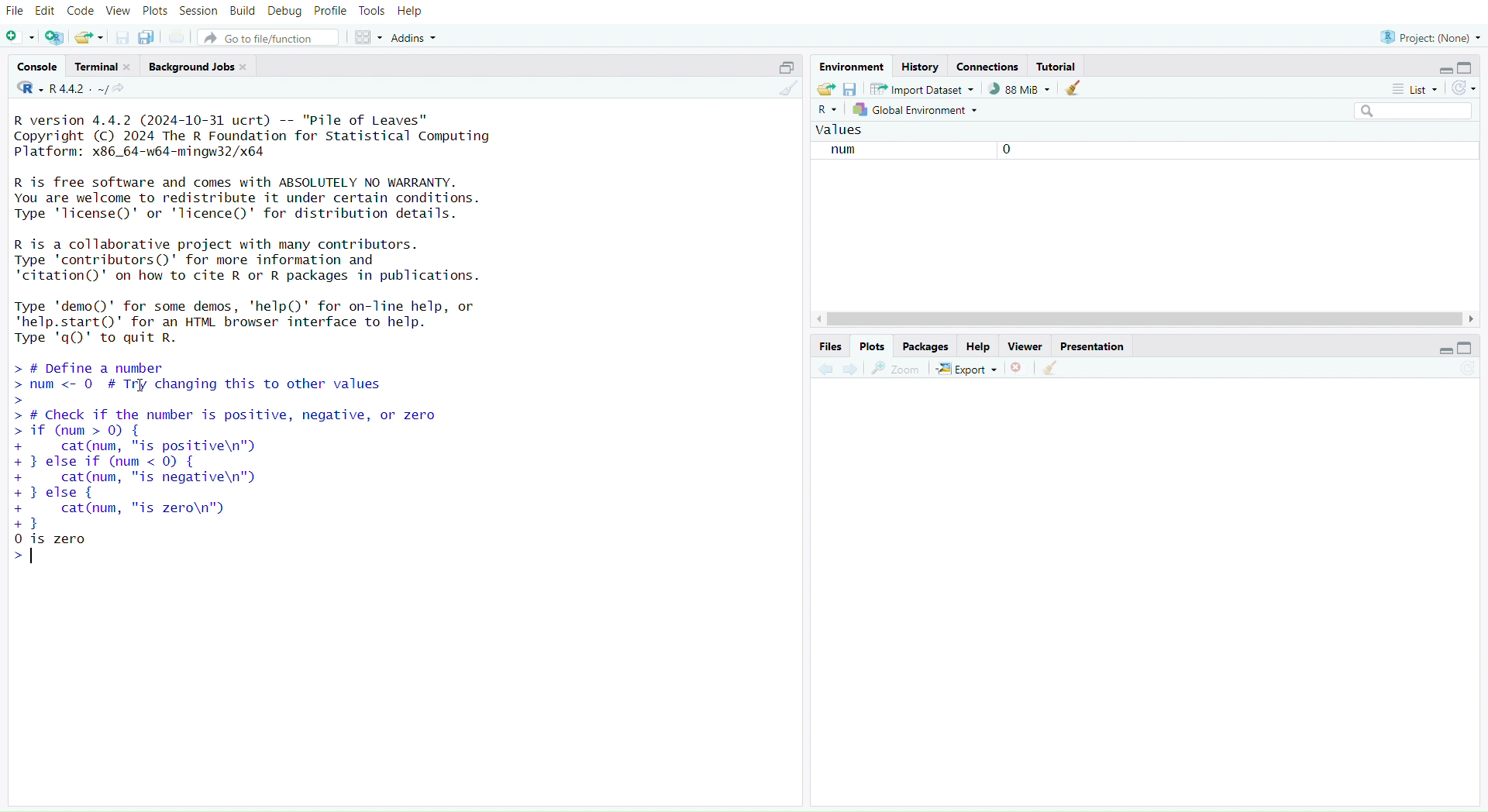 This screenshot has height=812, width=1488. Describe the element at coordinates (373, 11) in the screenshot. I see `tools` at that location.